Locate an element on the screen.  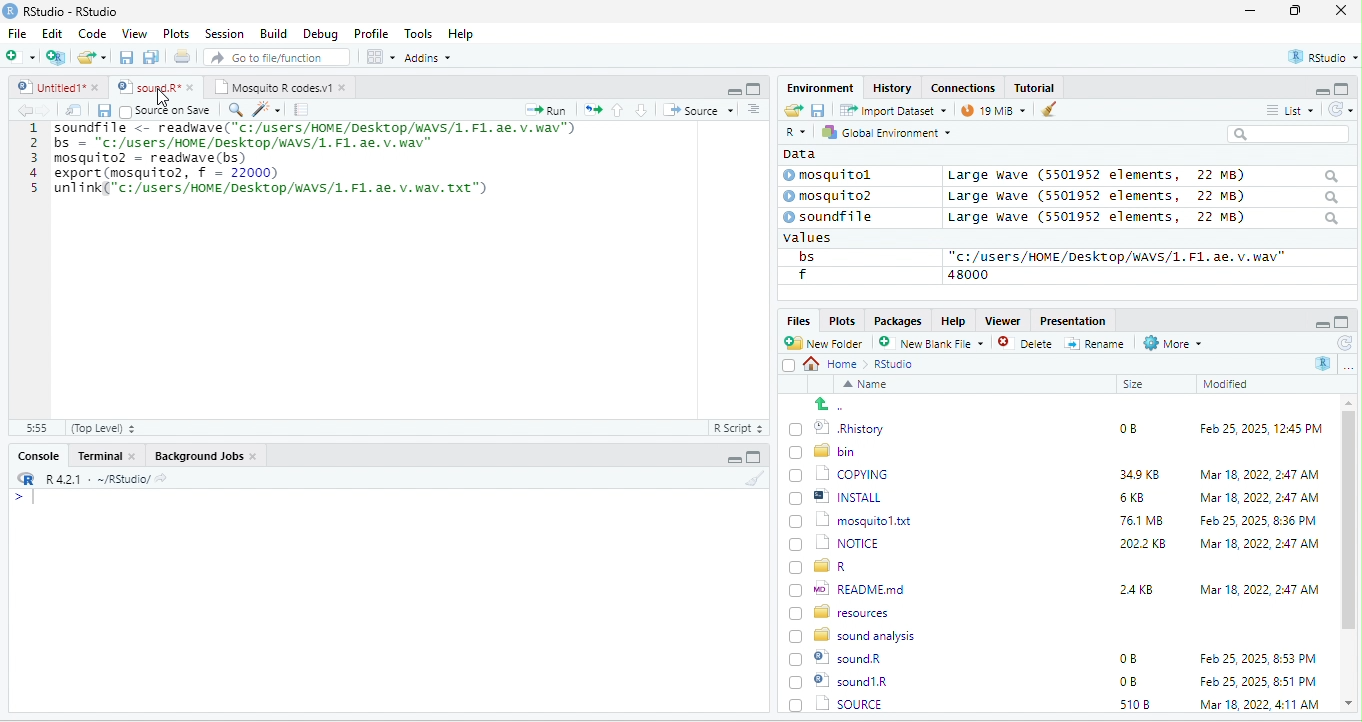
Profile is located at coordinates (371, 34).